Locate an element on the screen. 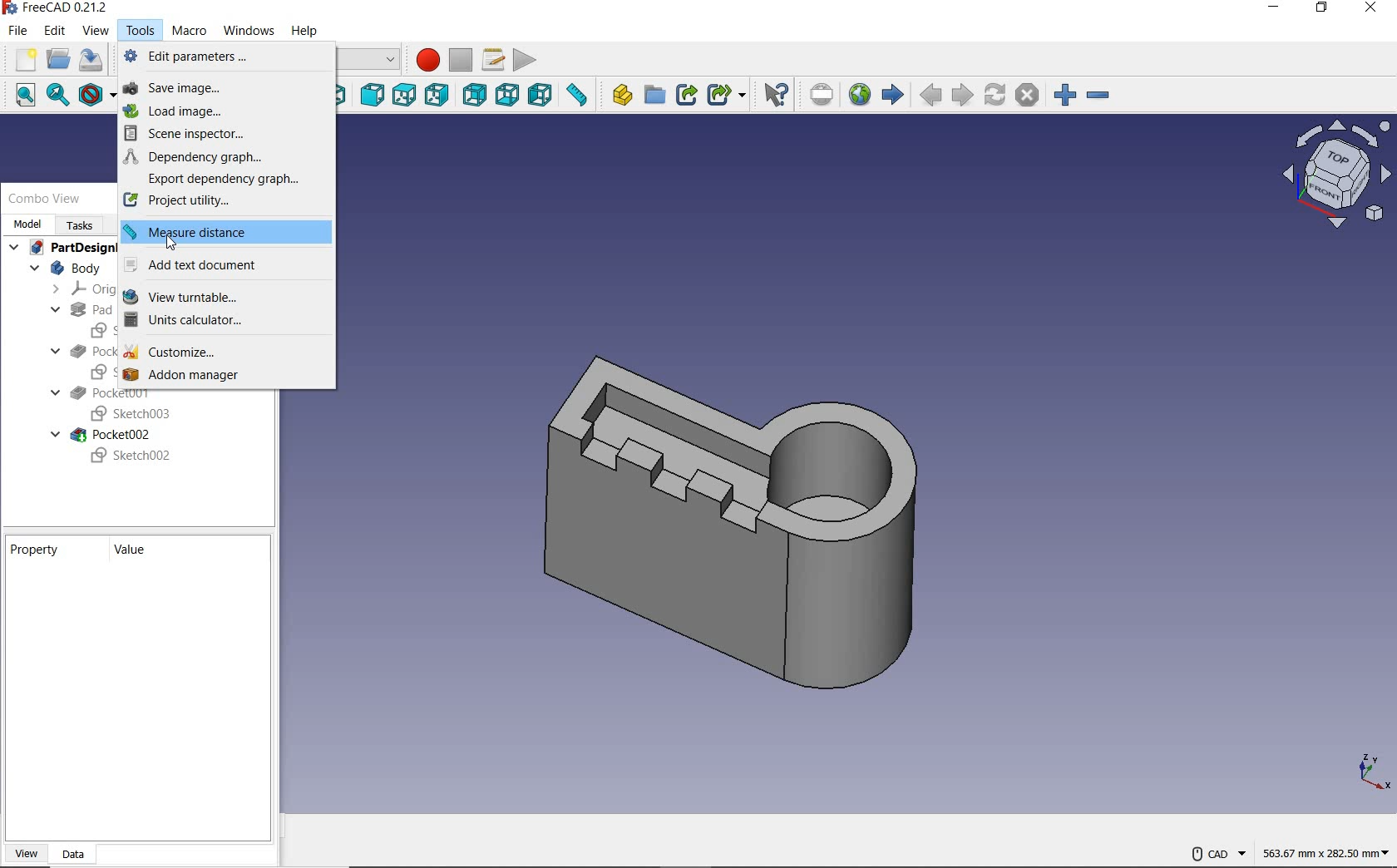  Cursor is located at coordinates (172, 243).